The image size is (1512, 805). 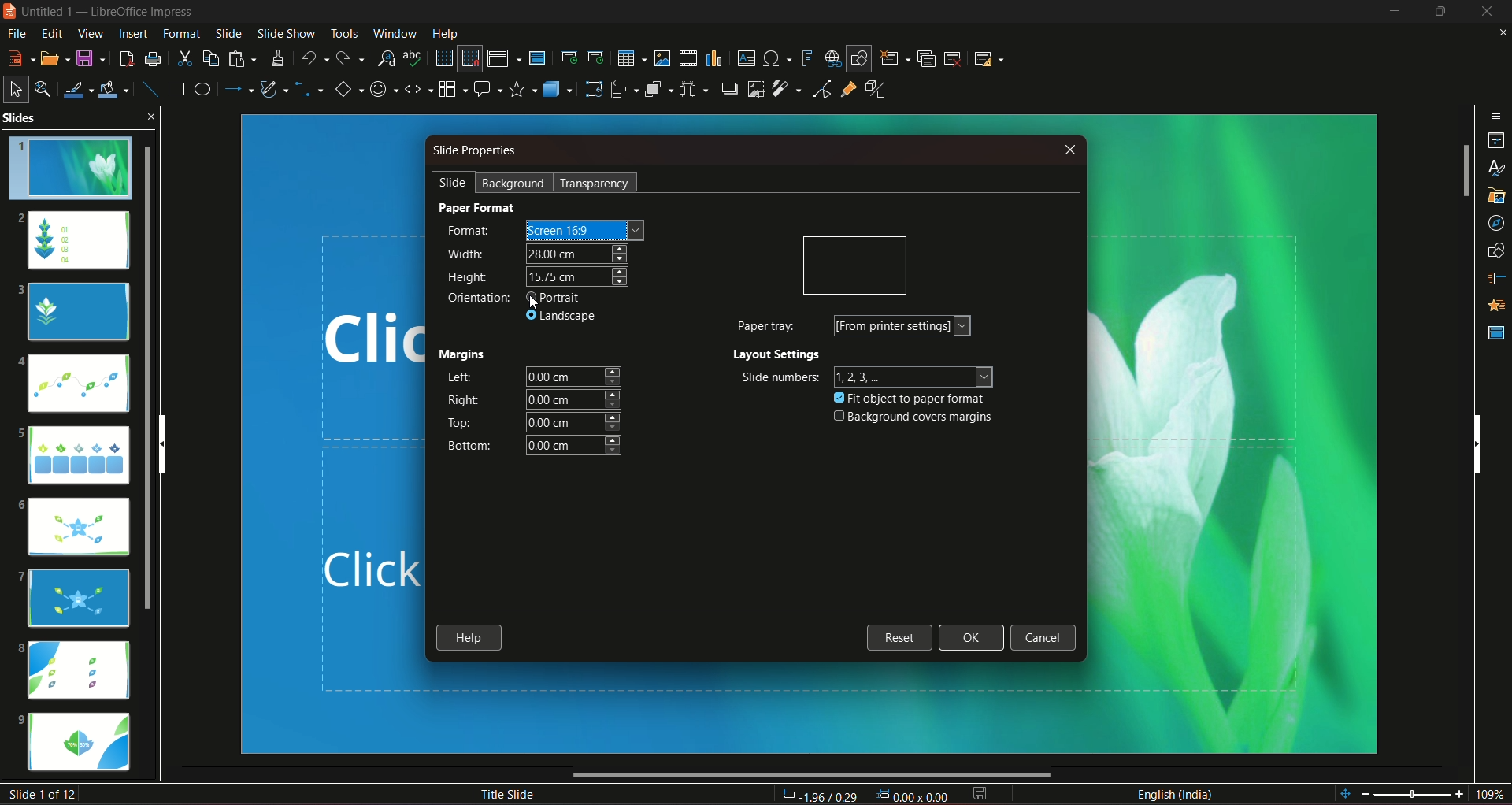 I want to click on navigator, so click(x=1494, y=223).